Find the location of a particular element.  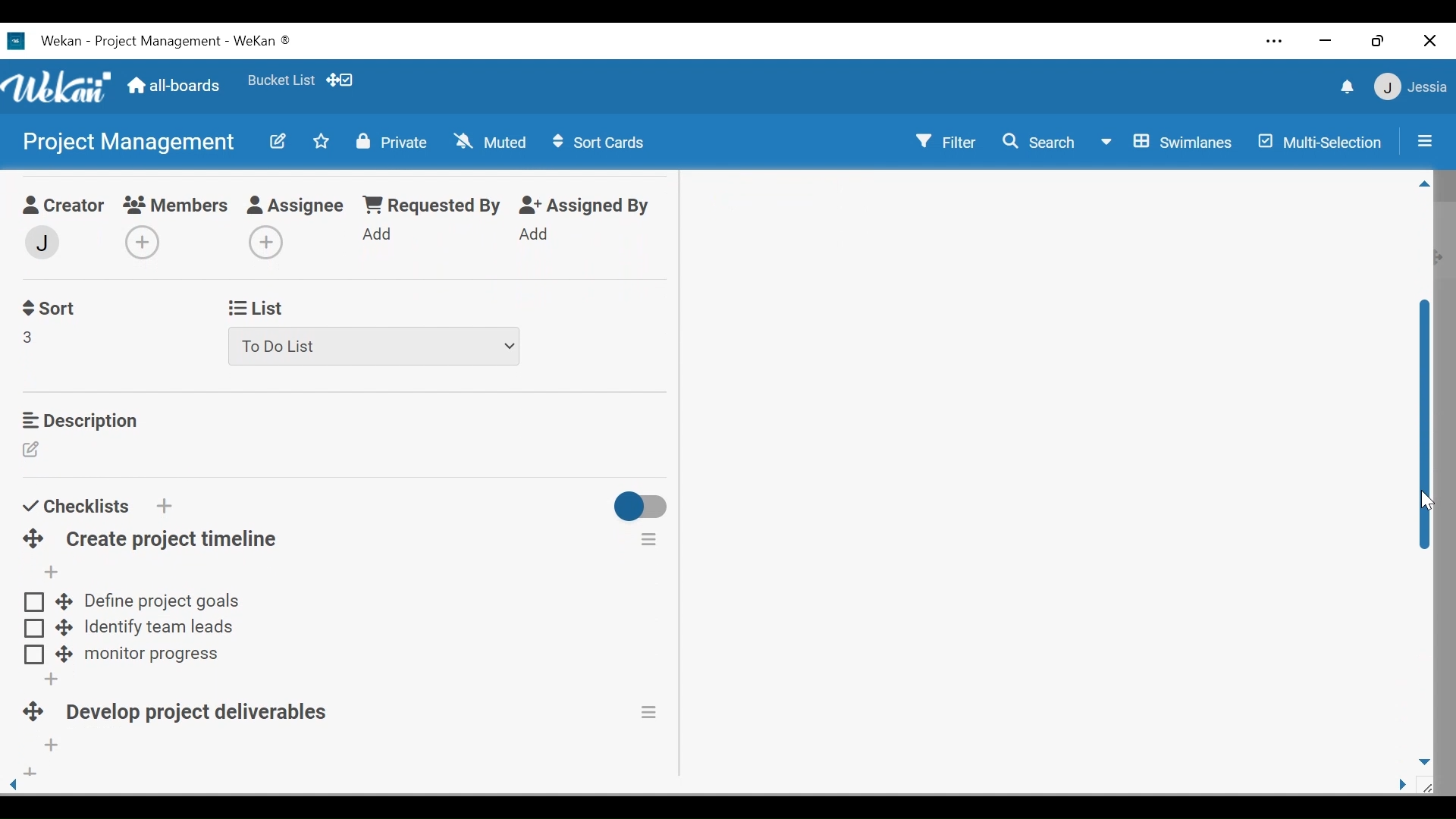

Settings and more is located at coordinates (1276, 41).